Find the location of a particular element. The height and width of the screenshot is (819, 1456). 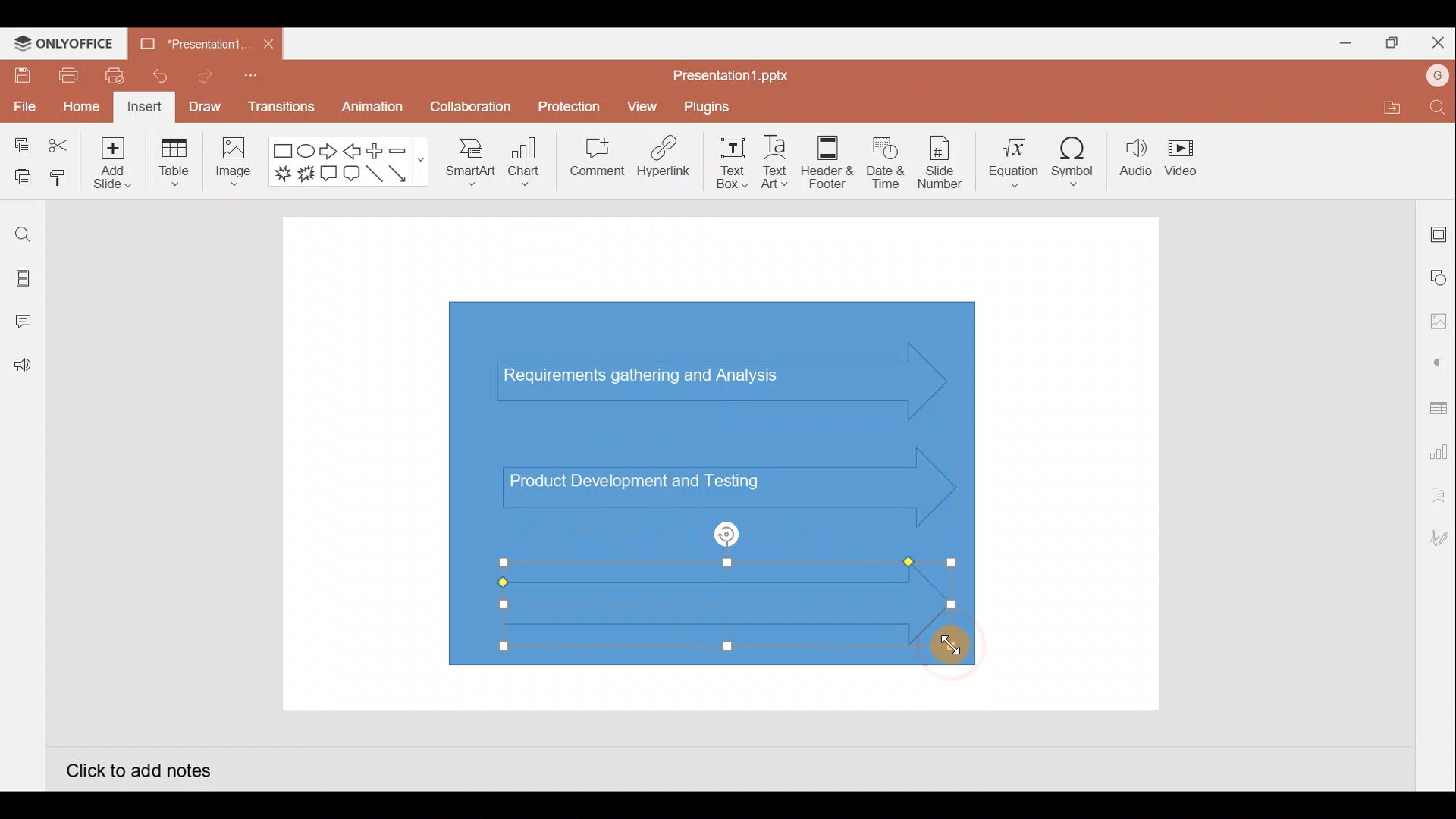

Add slide is located at coordinates (110, 159).